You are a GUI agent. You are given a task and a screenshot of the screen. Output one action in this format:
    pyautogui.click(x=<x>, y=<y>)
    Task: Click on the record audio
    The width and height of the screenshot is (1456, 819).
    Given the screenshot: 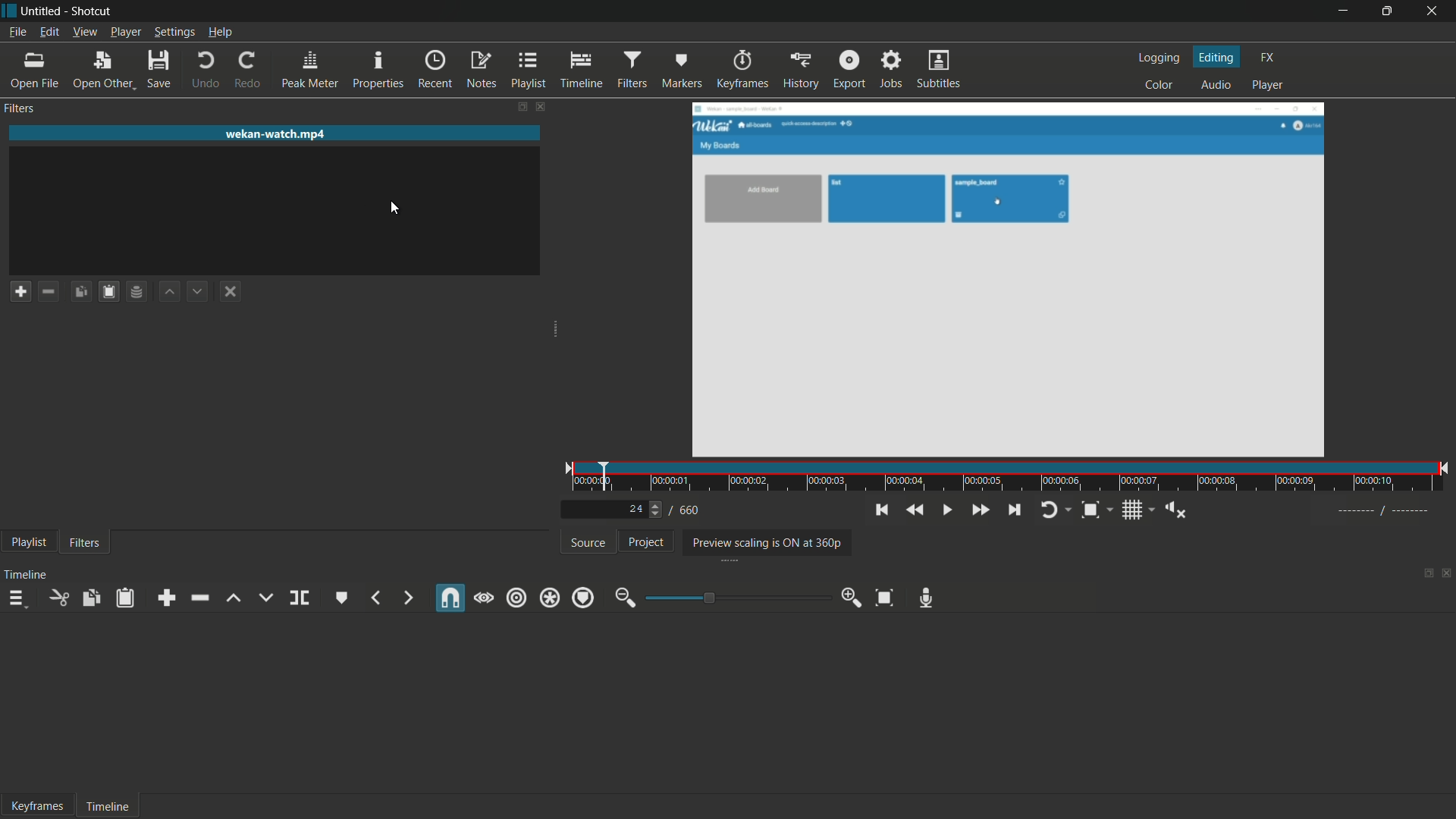 What is the action you would take?
    pyautogui.click(x=926, y=599)
    